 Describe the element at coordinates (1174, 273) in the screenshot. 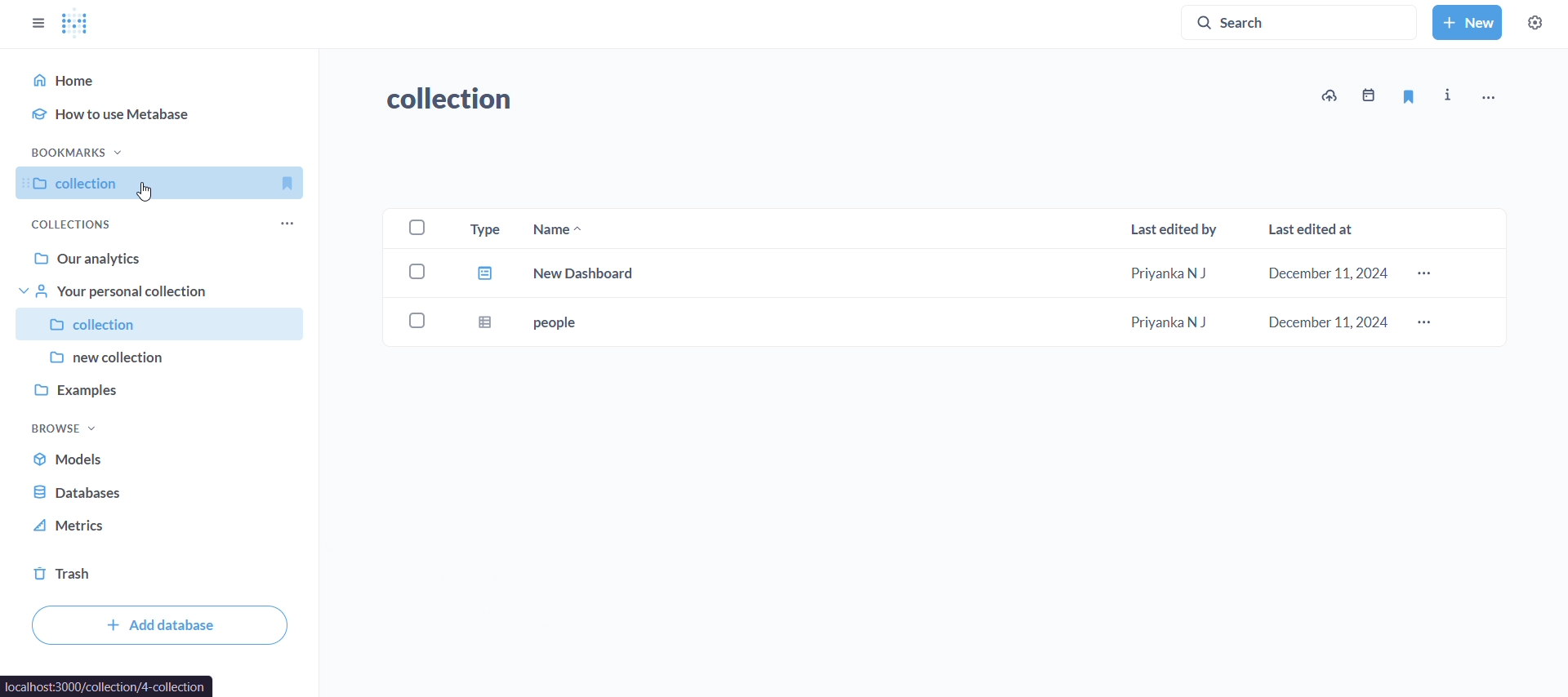

I see `Priyanka NJ` at that location.